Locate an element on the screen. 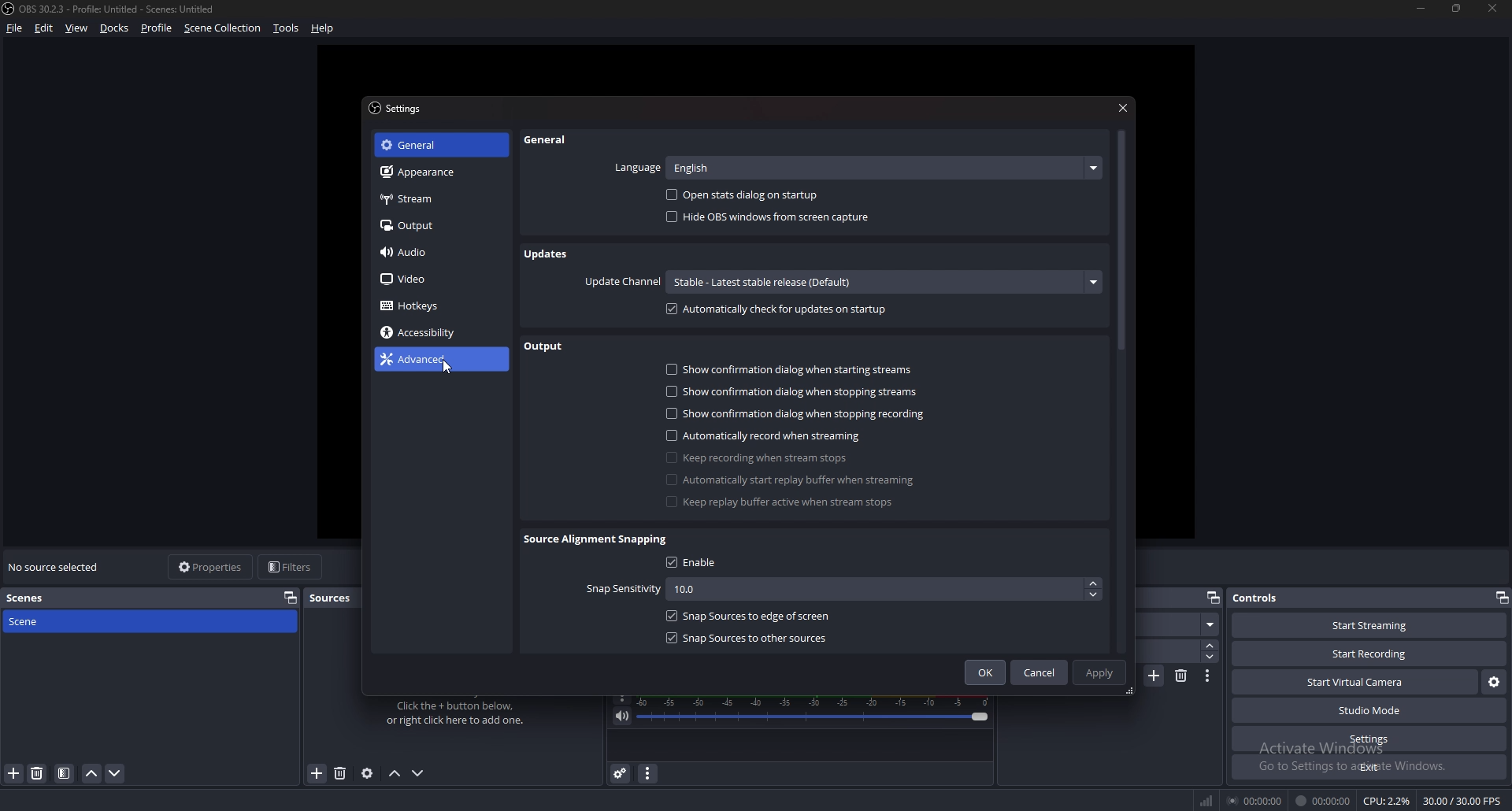 Image resolution: width=1512 pixels, height=811 pixels. help is located at coordinates (323, 28).